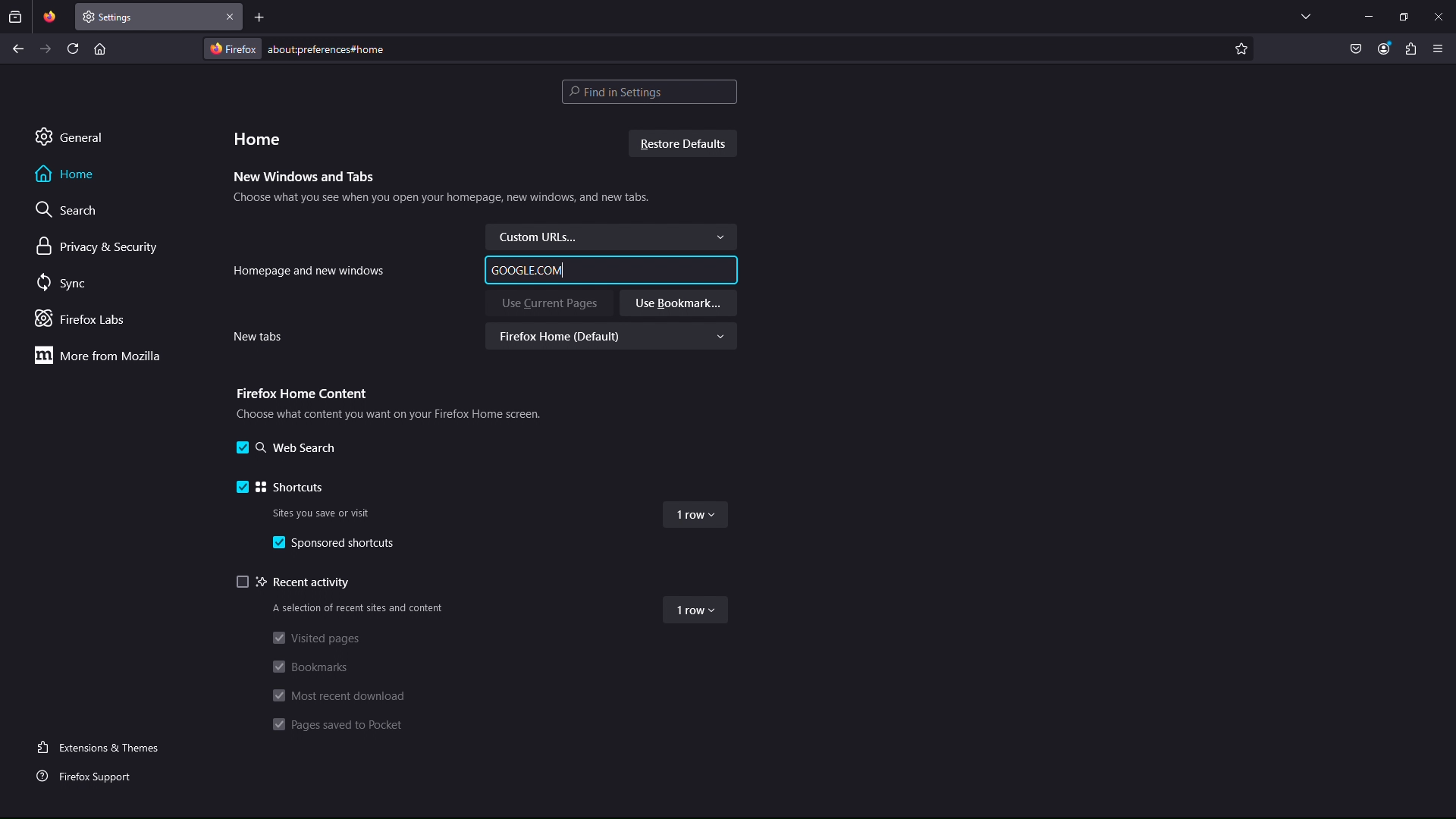  What do you see at coordinates (98, 247) in the screenshot?
I see `Privacy & Security` at bounding box center [98, 247].